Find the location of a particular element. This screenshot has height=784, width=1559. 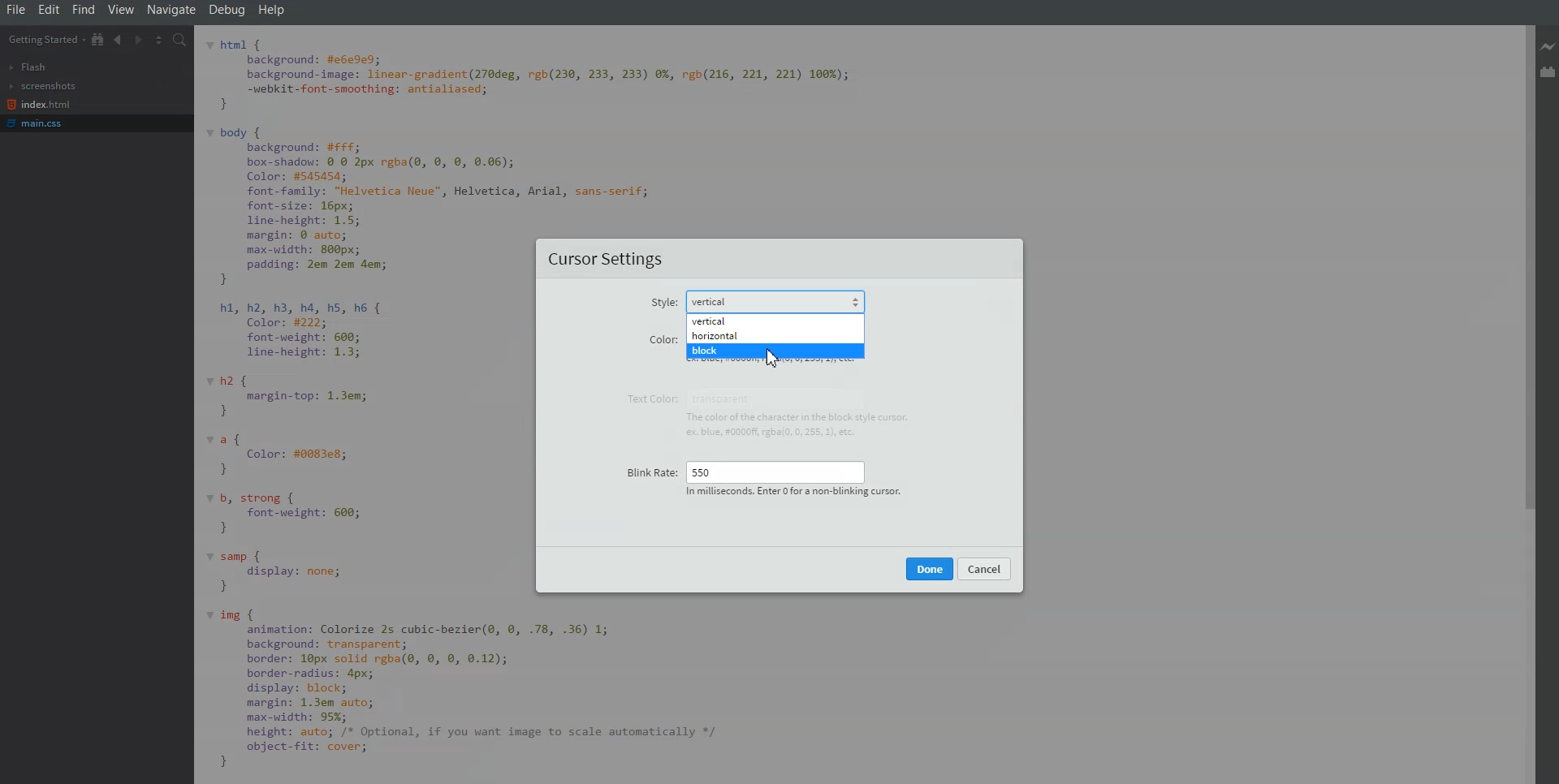

Blink Rate is located at coordinates (649, 467).